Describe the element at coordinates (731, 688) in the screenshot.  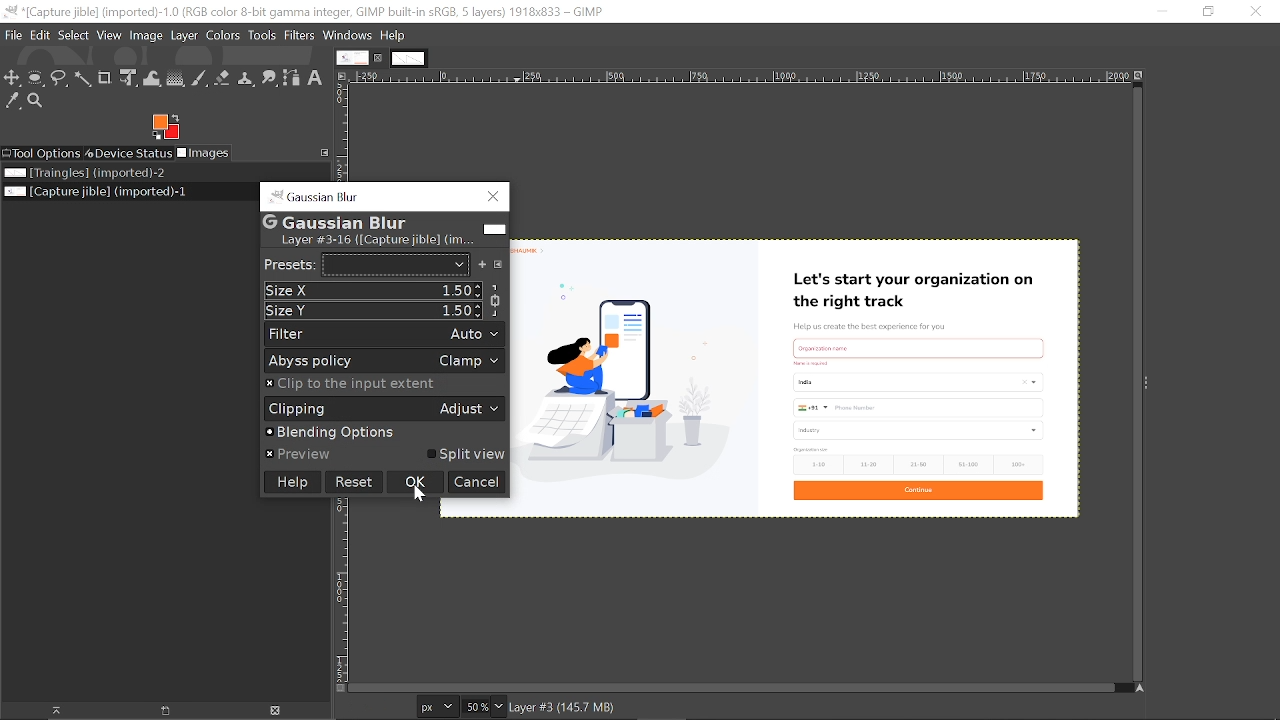
I see `Horizontal scrollbar` at that location.